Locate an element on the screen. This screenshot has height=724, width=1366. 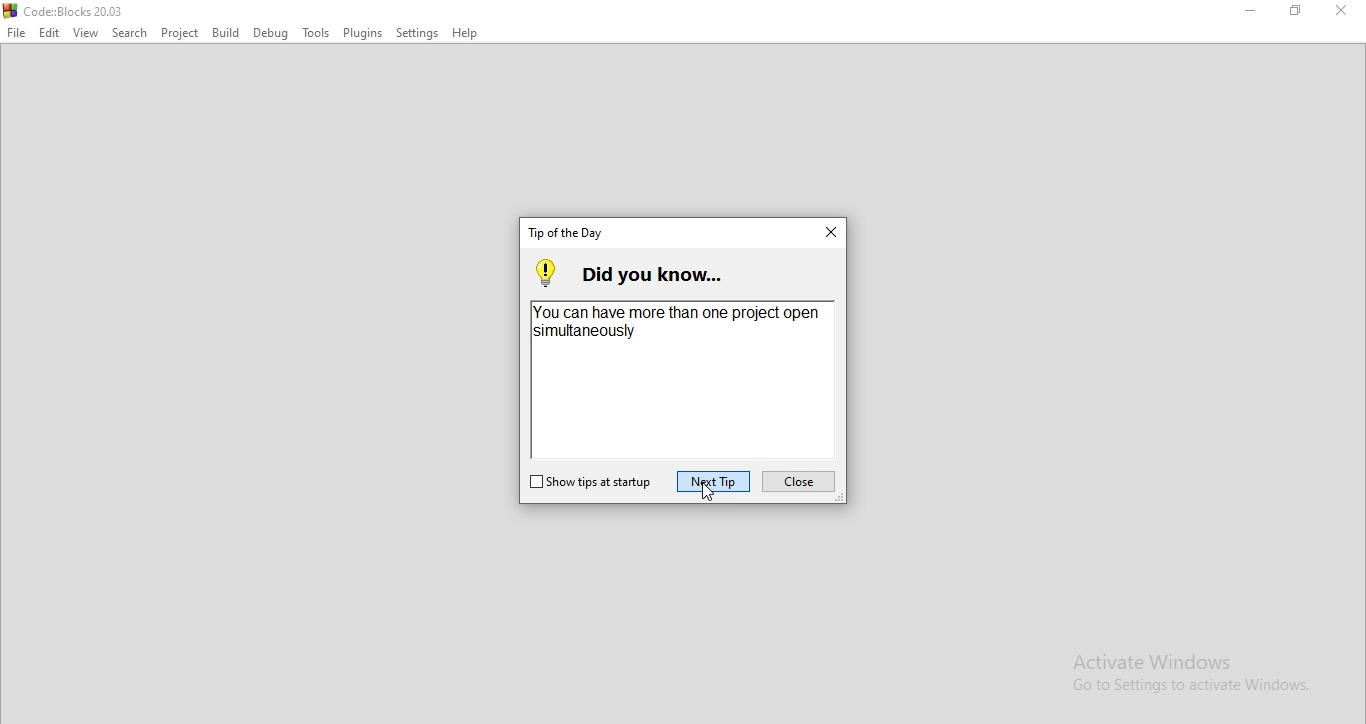
next tip is located at coordinates (713, 481).